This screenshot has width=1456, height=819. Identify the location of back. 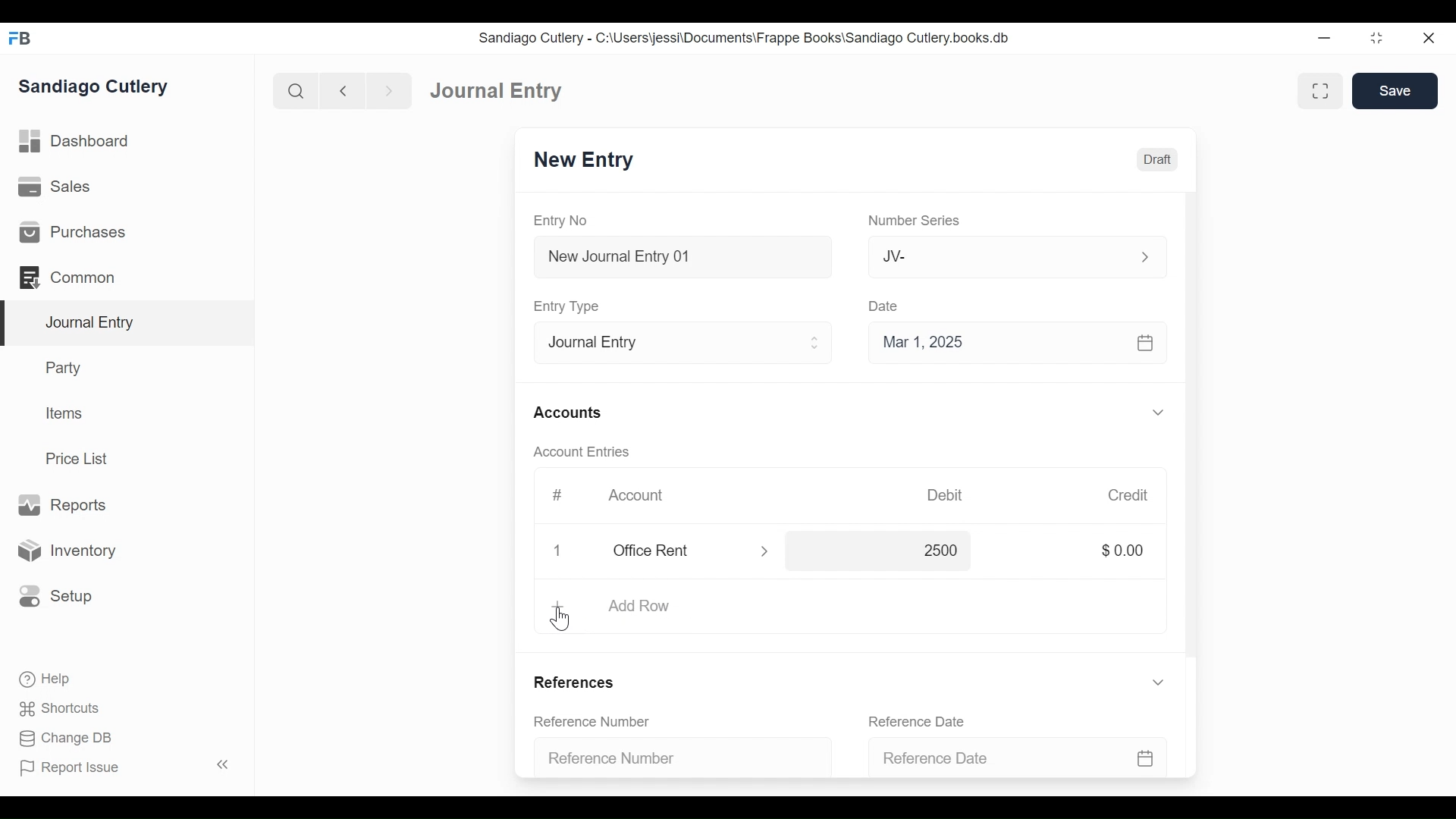
(343, 89).